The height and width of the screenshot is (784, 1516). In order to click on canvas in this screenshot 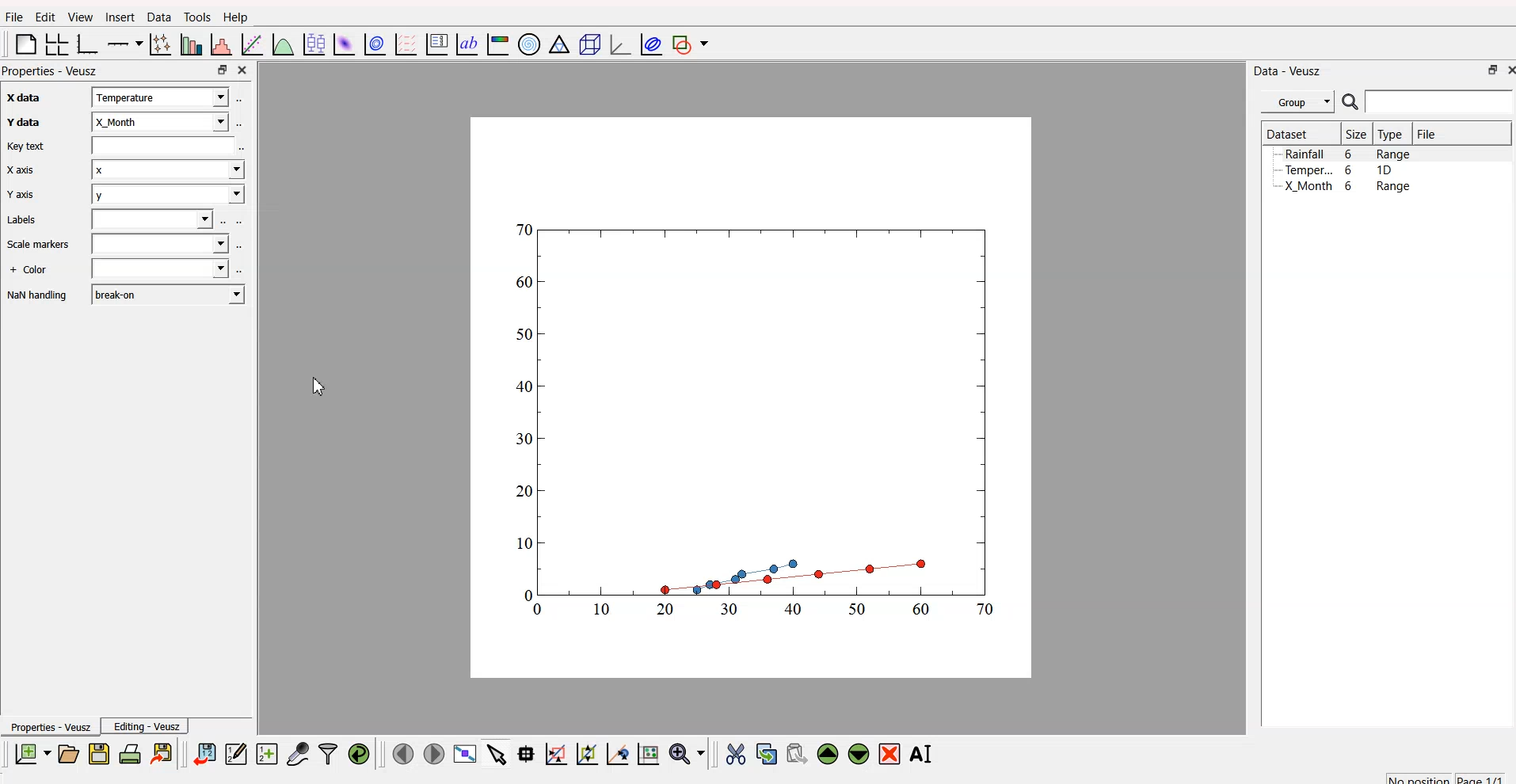, I will do `click(752, 400)`.